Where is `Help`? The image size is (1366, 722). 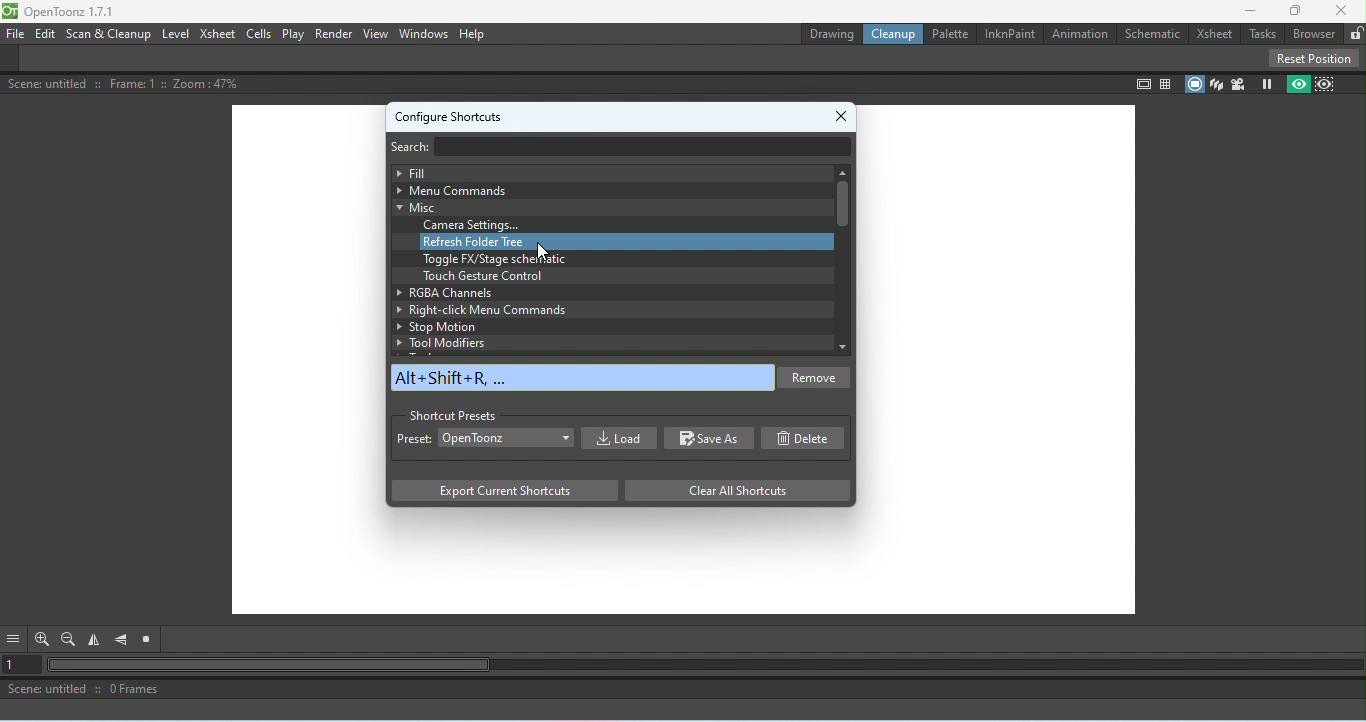
Help is located at coordinates (473, 34).